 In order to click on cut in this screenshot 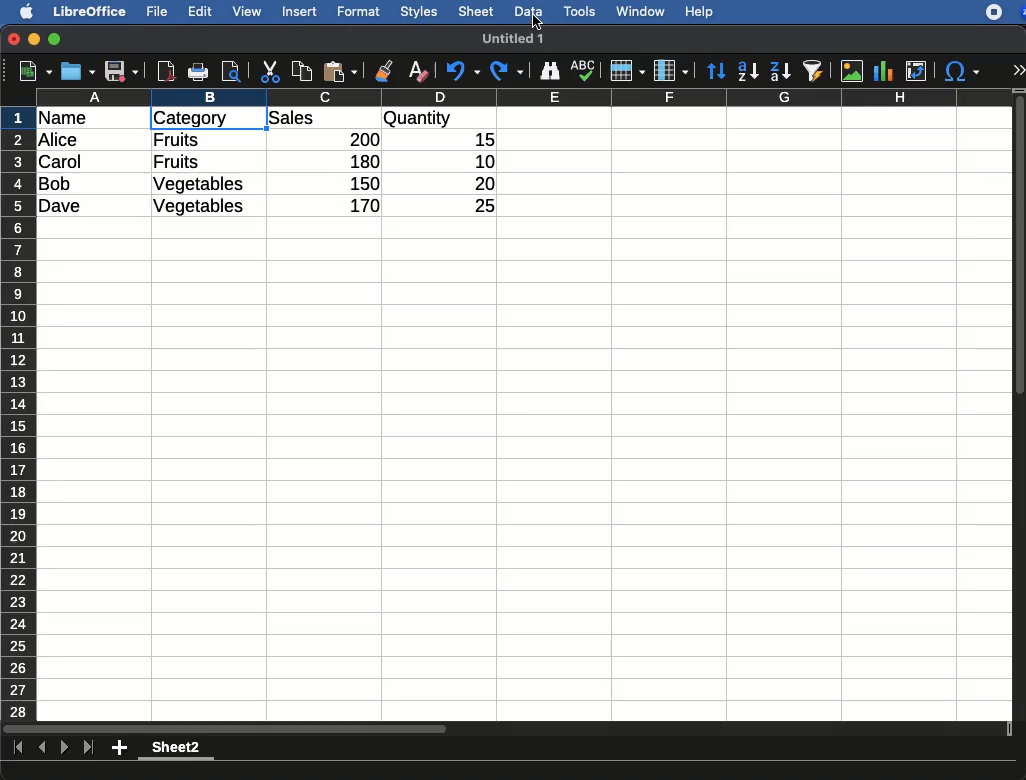, I will do `click(271, 71)`.